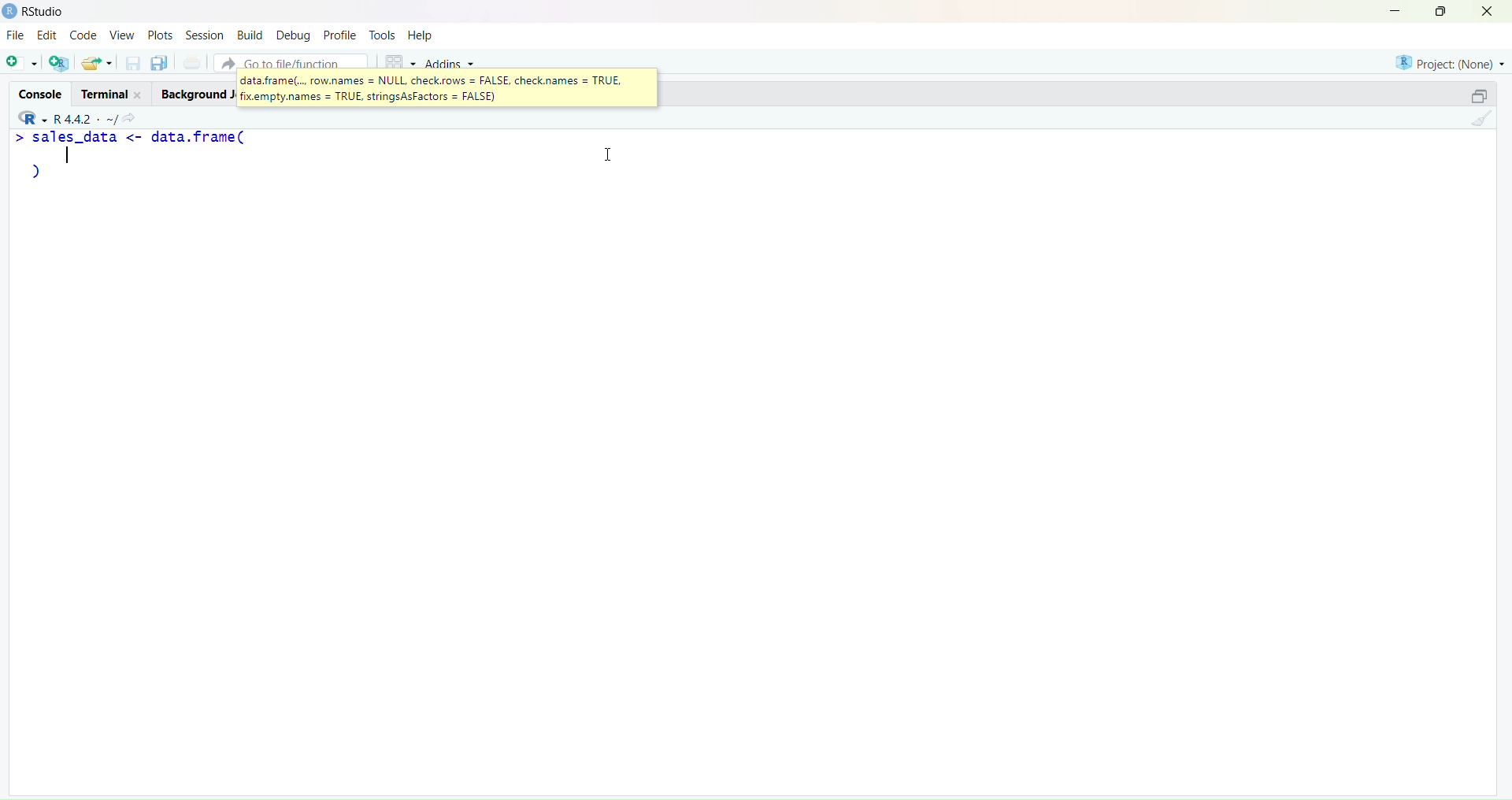 The width and height of the screenshot is (1512, 800). I want to click on save and export, so click(96, 64).